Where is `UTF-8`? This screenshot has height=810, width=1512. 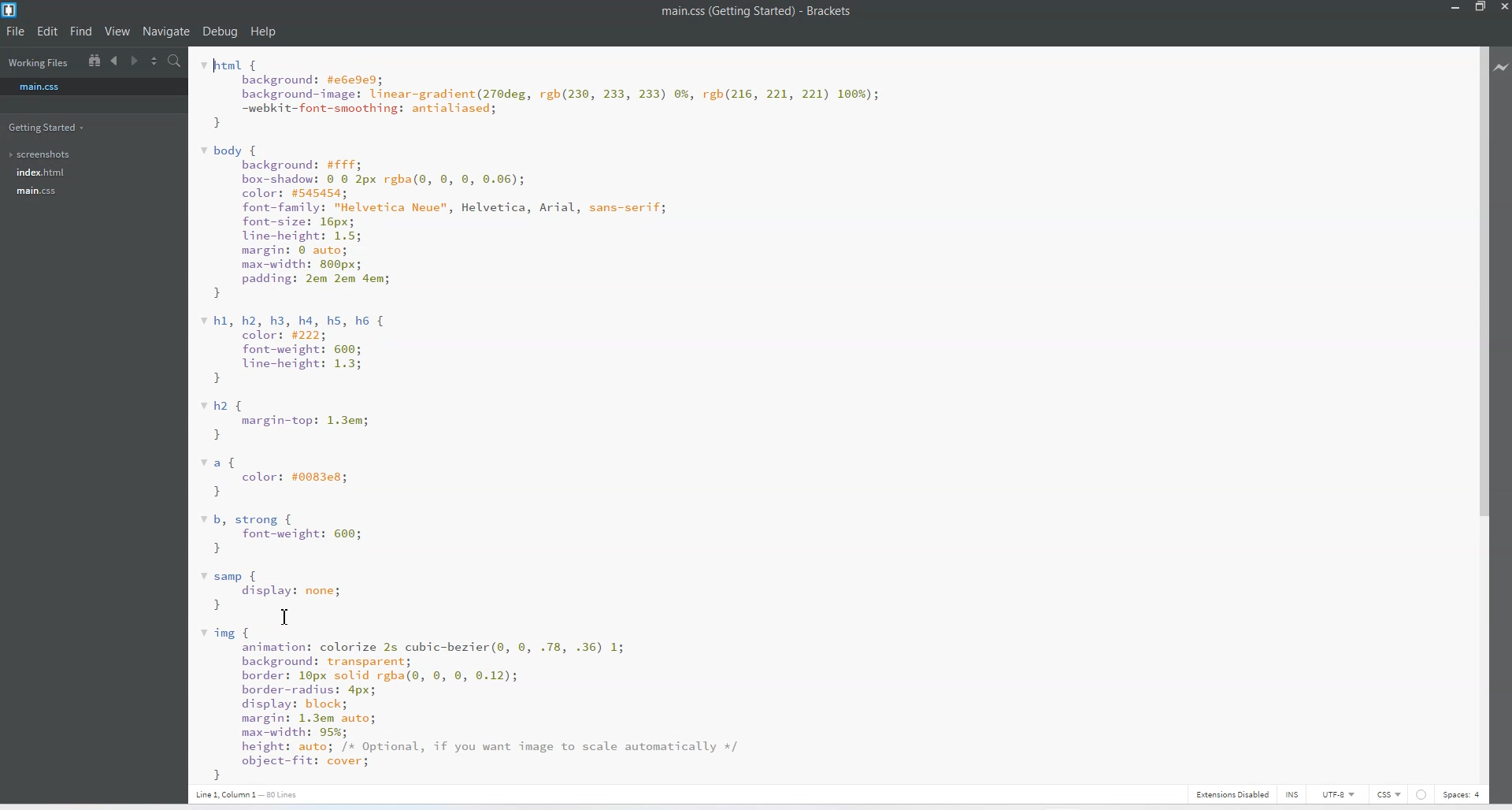 UTF-8 is located at coordinates (1339, 794).